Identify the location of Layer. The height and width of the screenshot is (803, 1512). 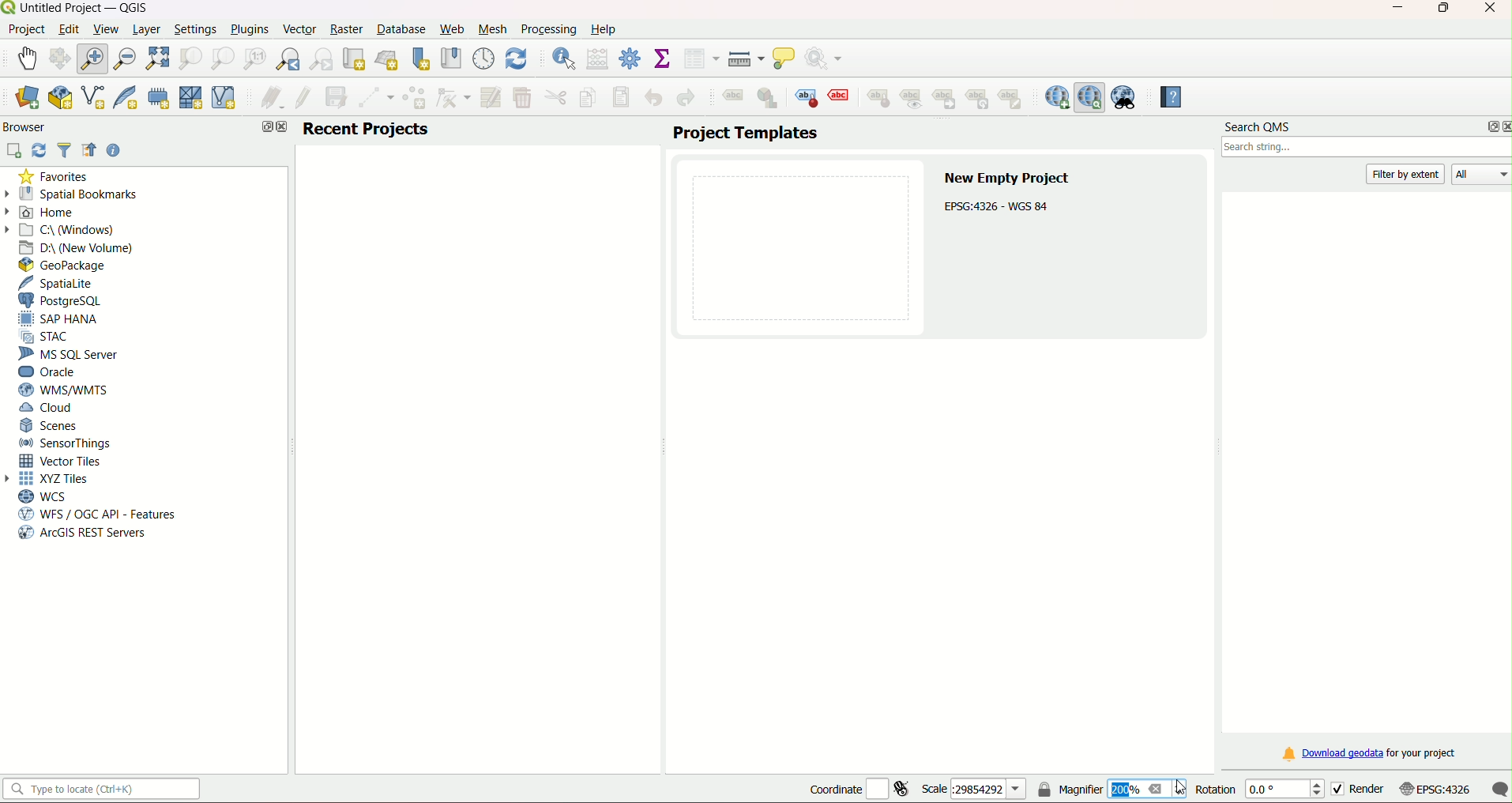
(146, 29).